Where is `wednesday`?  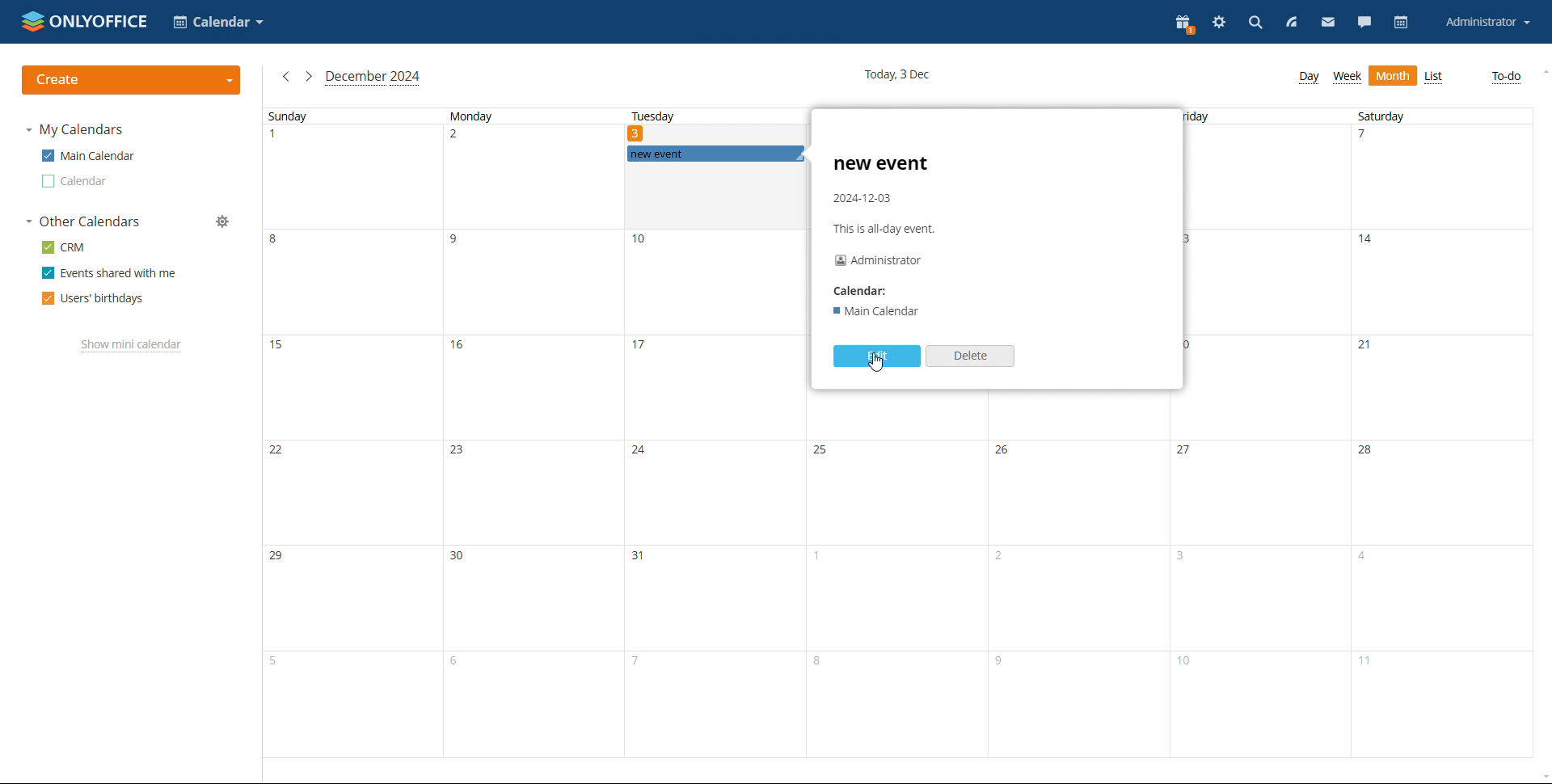
wednesday is located at coordinates (896, 583).